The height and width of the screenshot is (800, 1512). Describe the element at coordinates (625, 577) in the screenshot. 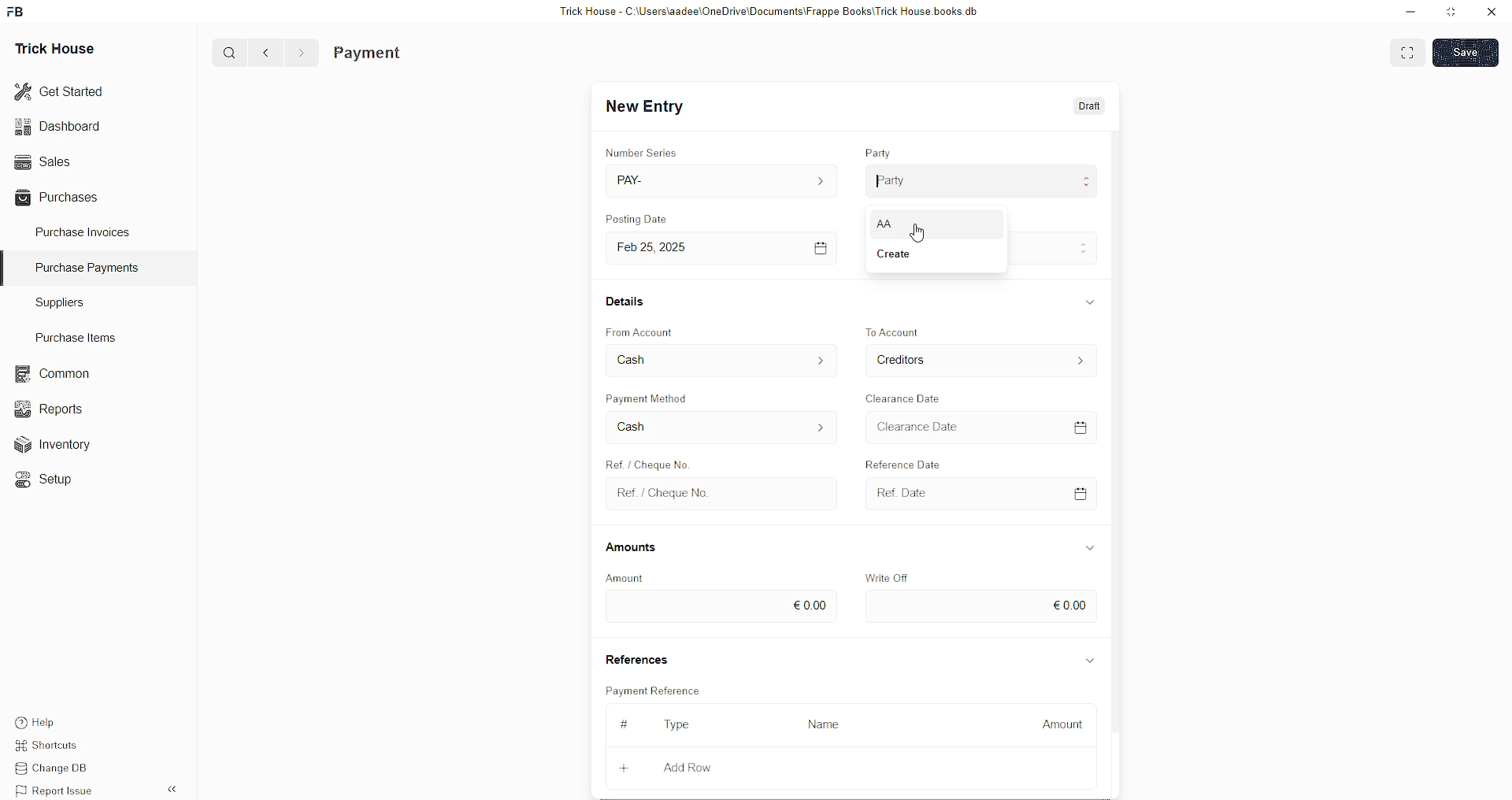

I see `Amount` at that location.